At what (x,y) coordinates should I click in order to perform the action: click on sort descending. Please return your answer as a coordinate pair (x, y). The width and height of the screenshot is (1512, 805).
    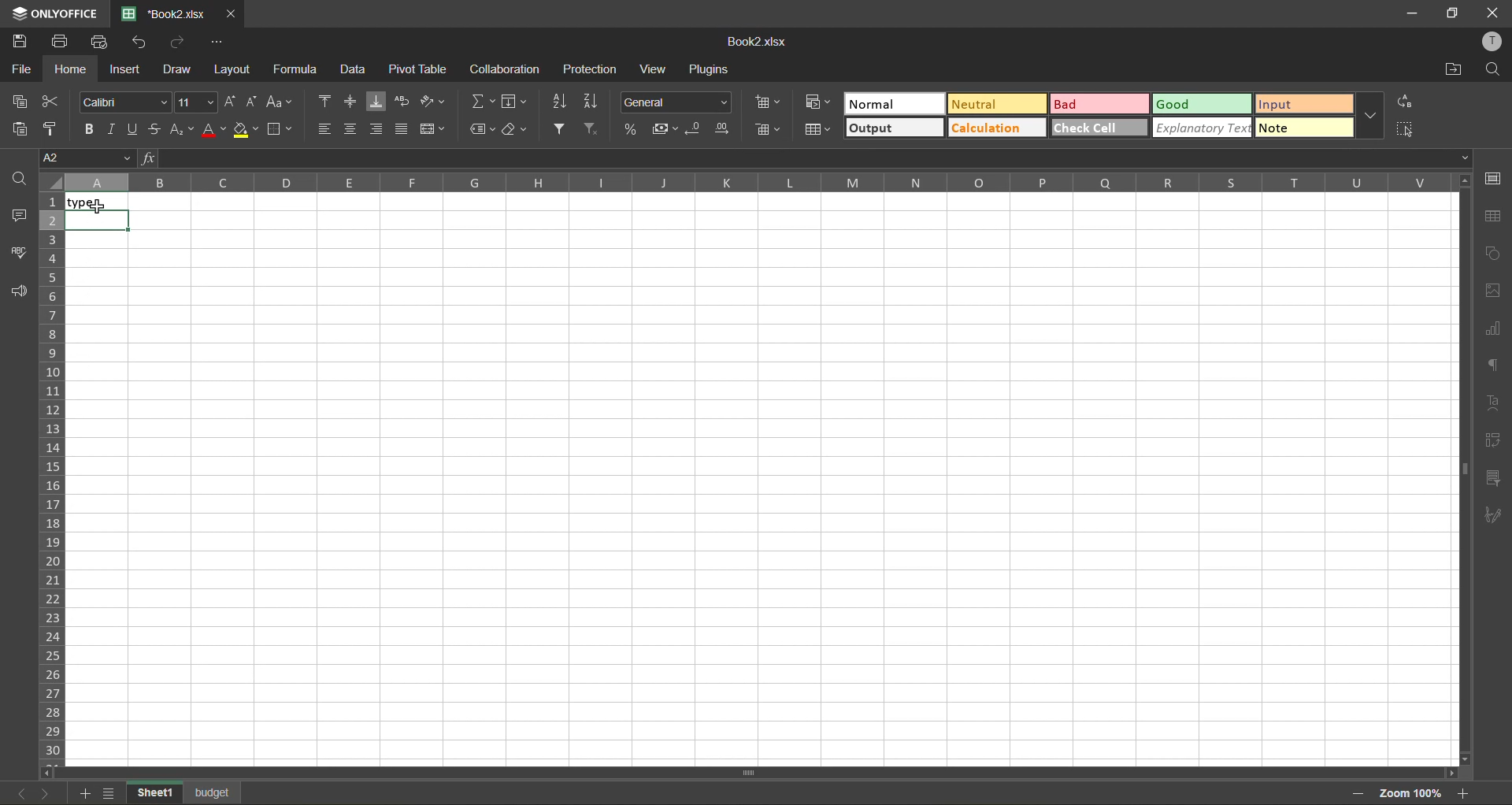
    Looking at the image, I should click on (594, 100).